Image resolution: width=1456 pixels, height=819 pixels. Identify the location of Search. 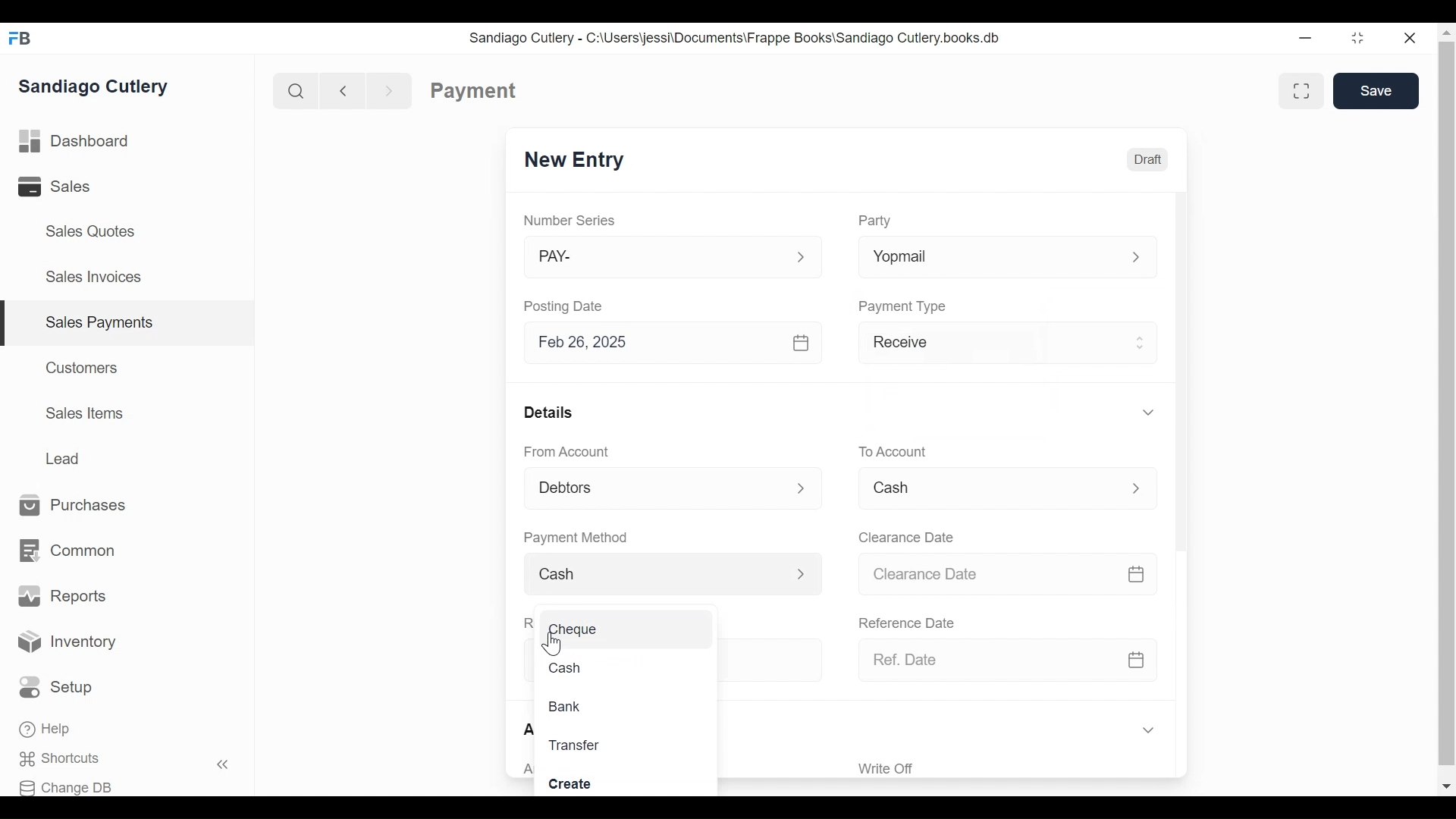
(293, 90).